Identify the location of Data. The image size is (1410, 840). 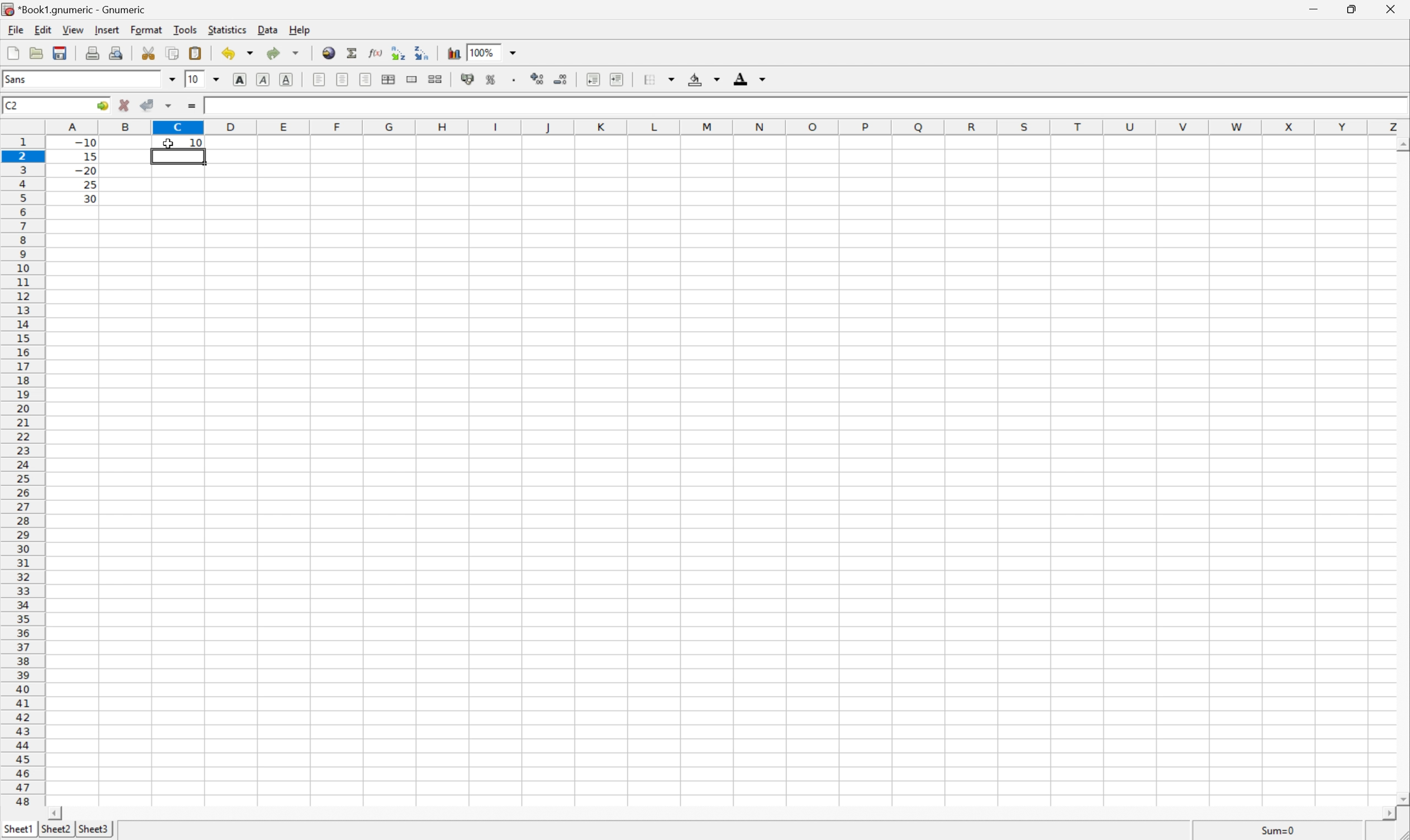
(271, 31).